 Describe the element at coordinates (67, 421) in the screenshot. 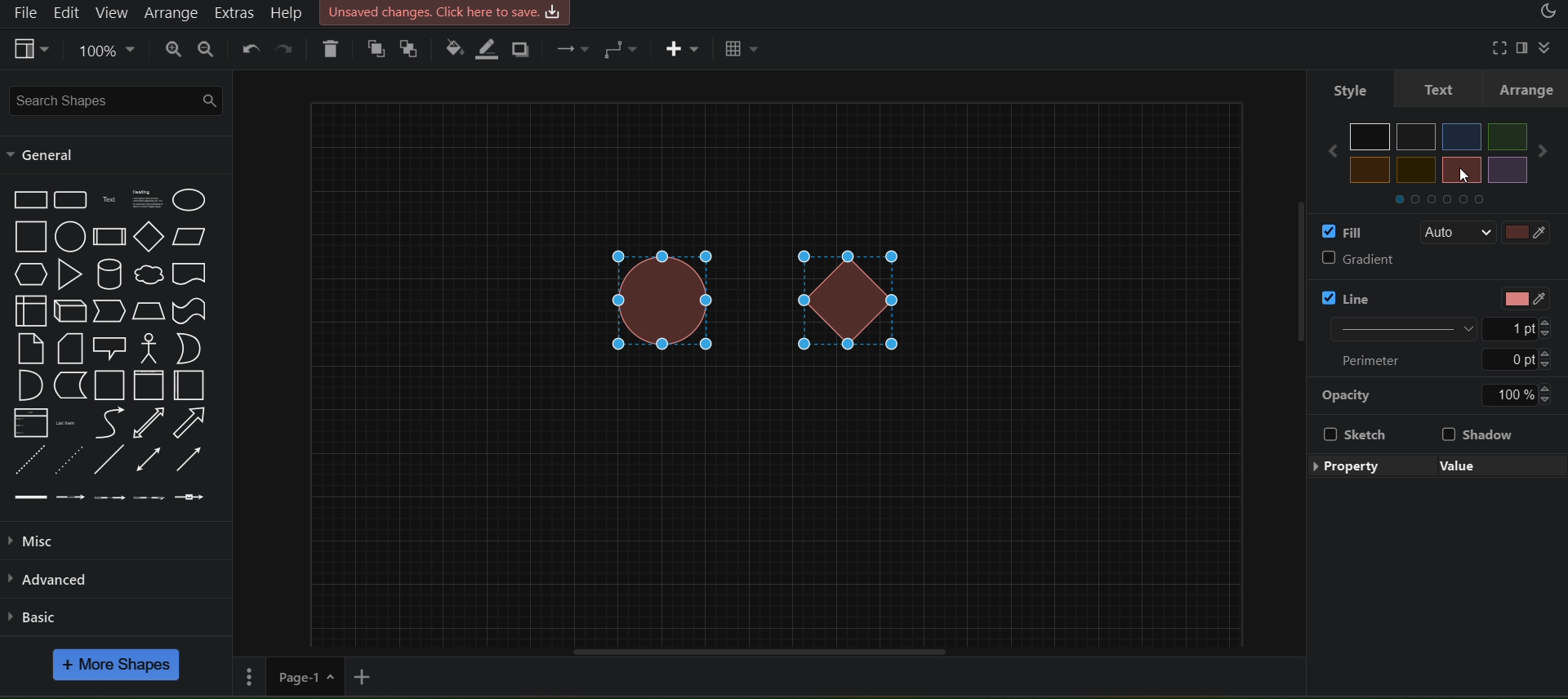

I see `List Item` at that location.